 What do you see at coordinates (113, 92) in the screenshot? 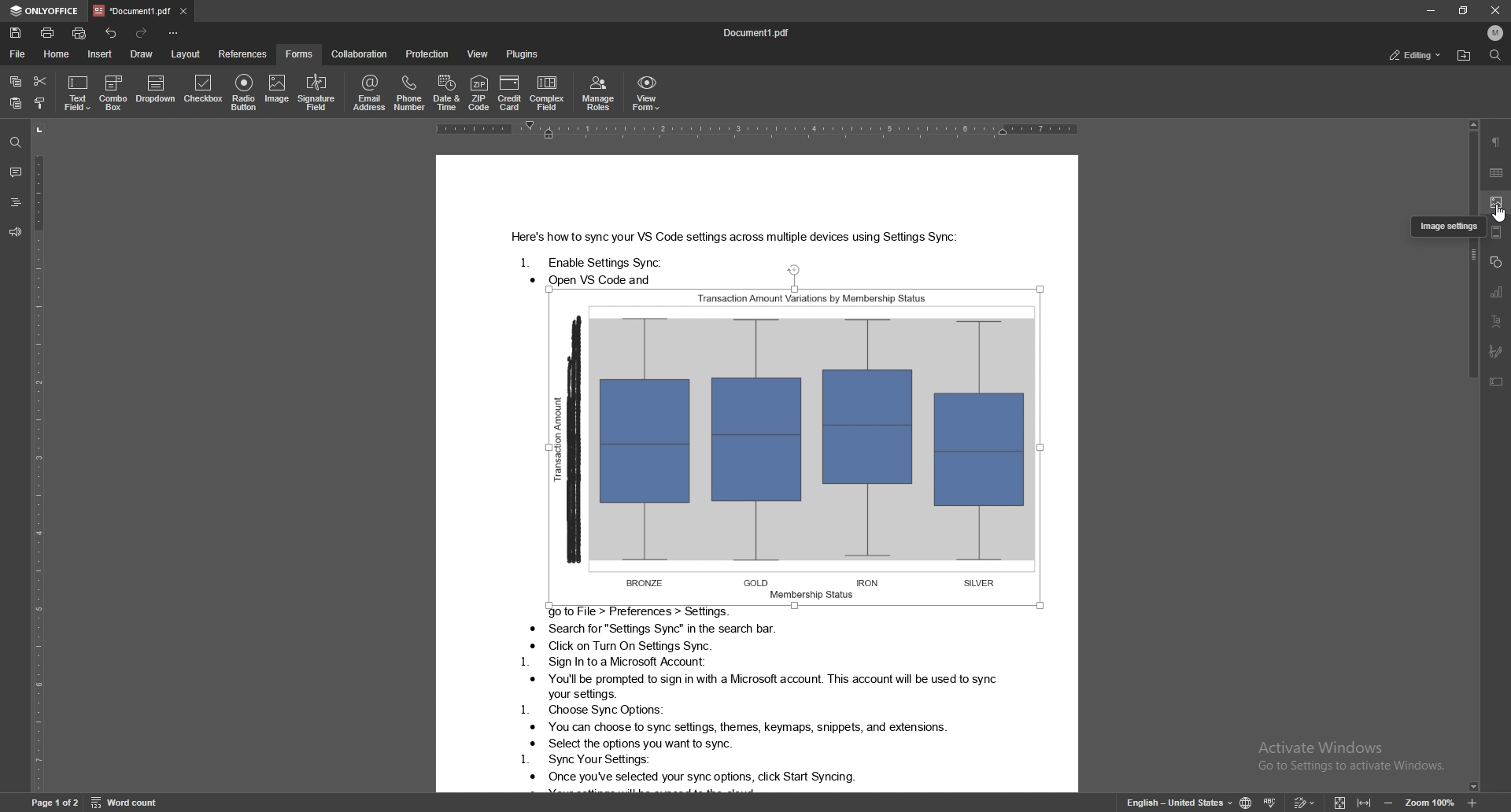
I see `combo box` at bounding box center [113, 92].